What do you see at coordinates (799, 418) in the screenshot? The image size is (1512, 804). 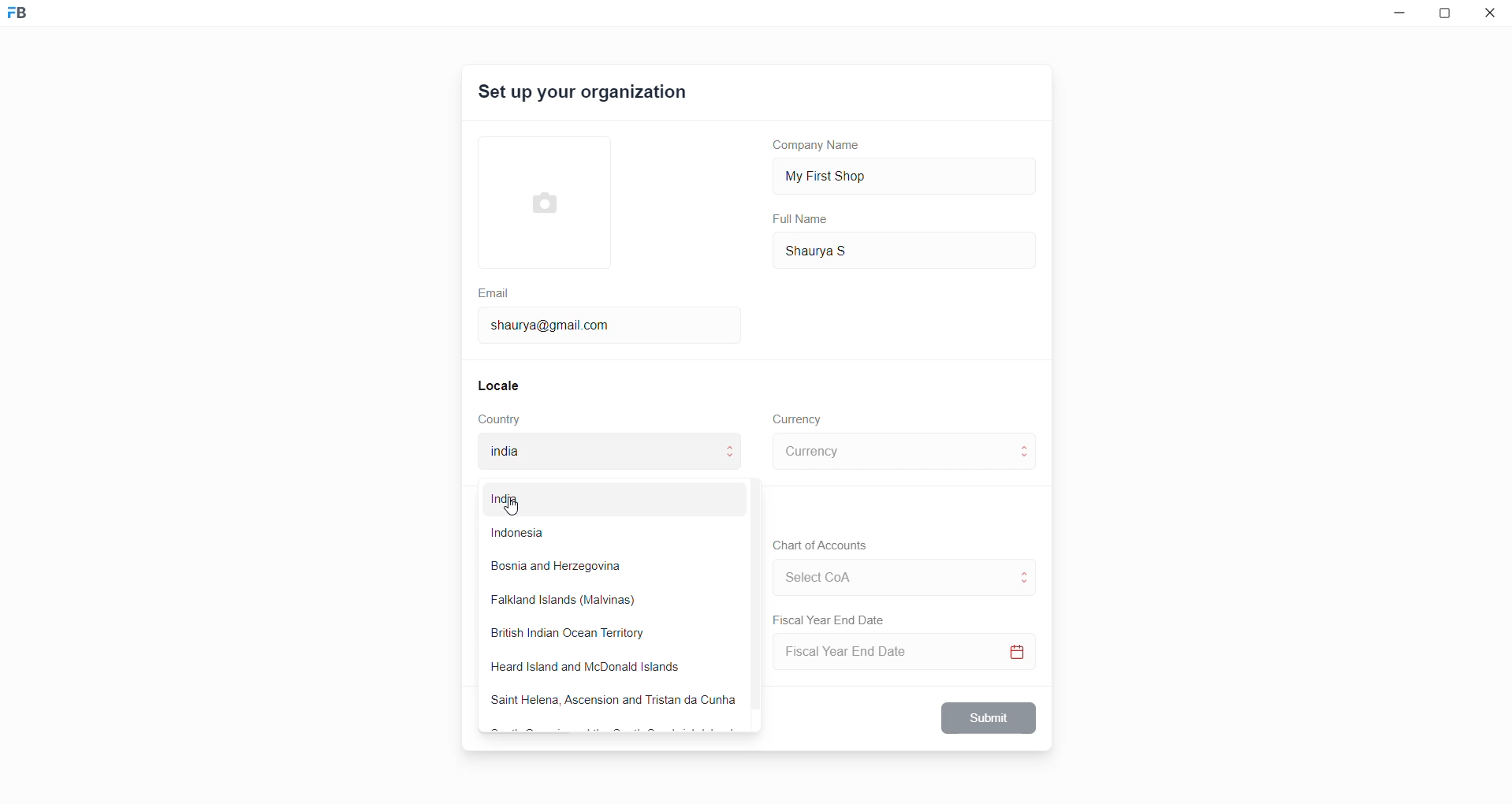 I see `Currency` at bounding box center [799, 418].